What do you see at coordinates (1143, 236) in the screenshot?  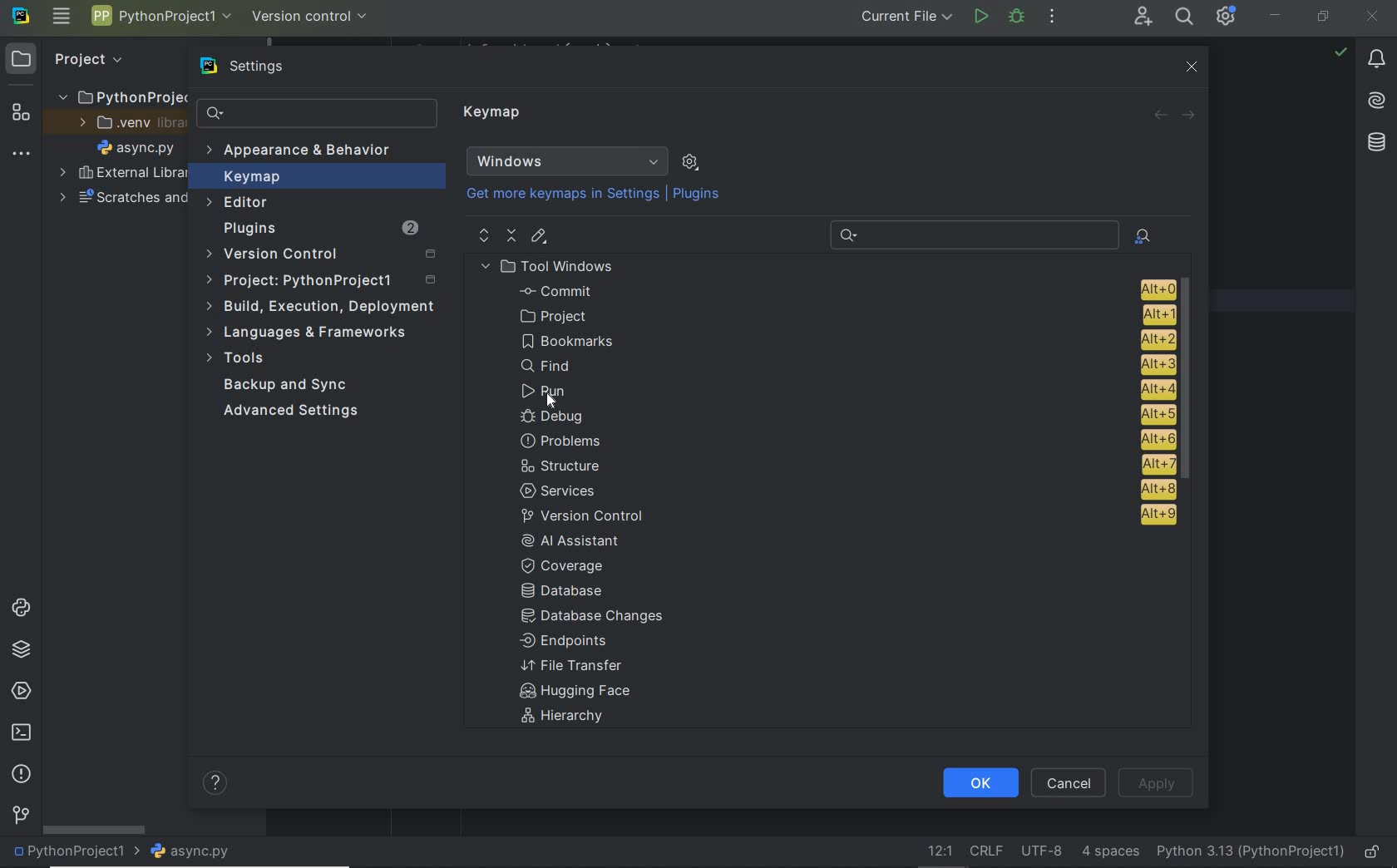 I see `find actions by shortcut` at bounding box center [1143, 236].